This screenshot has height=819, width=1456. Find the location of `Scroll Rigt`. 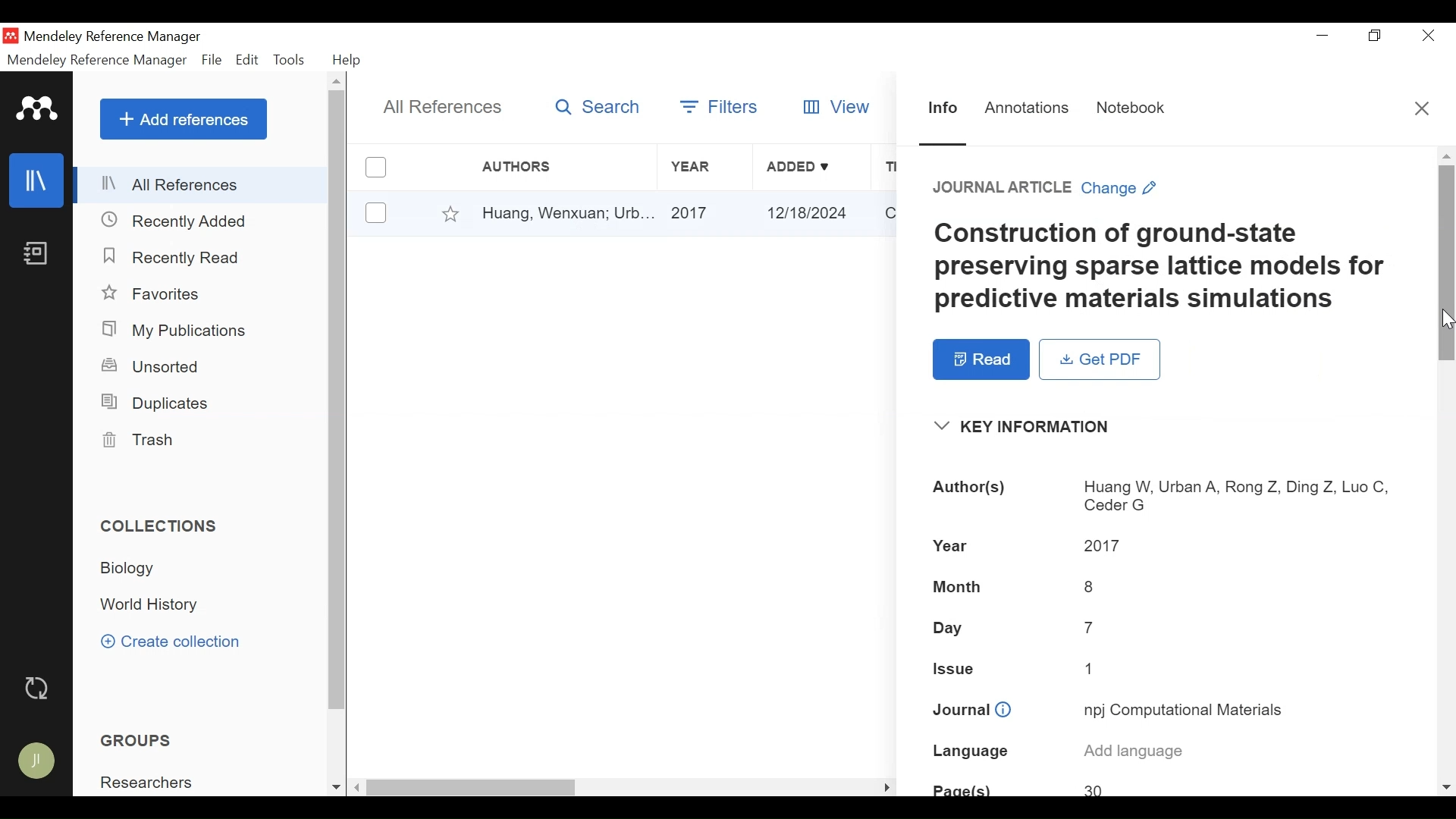

Scroll Rigt is located at coordinates (885, 789).